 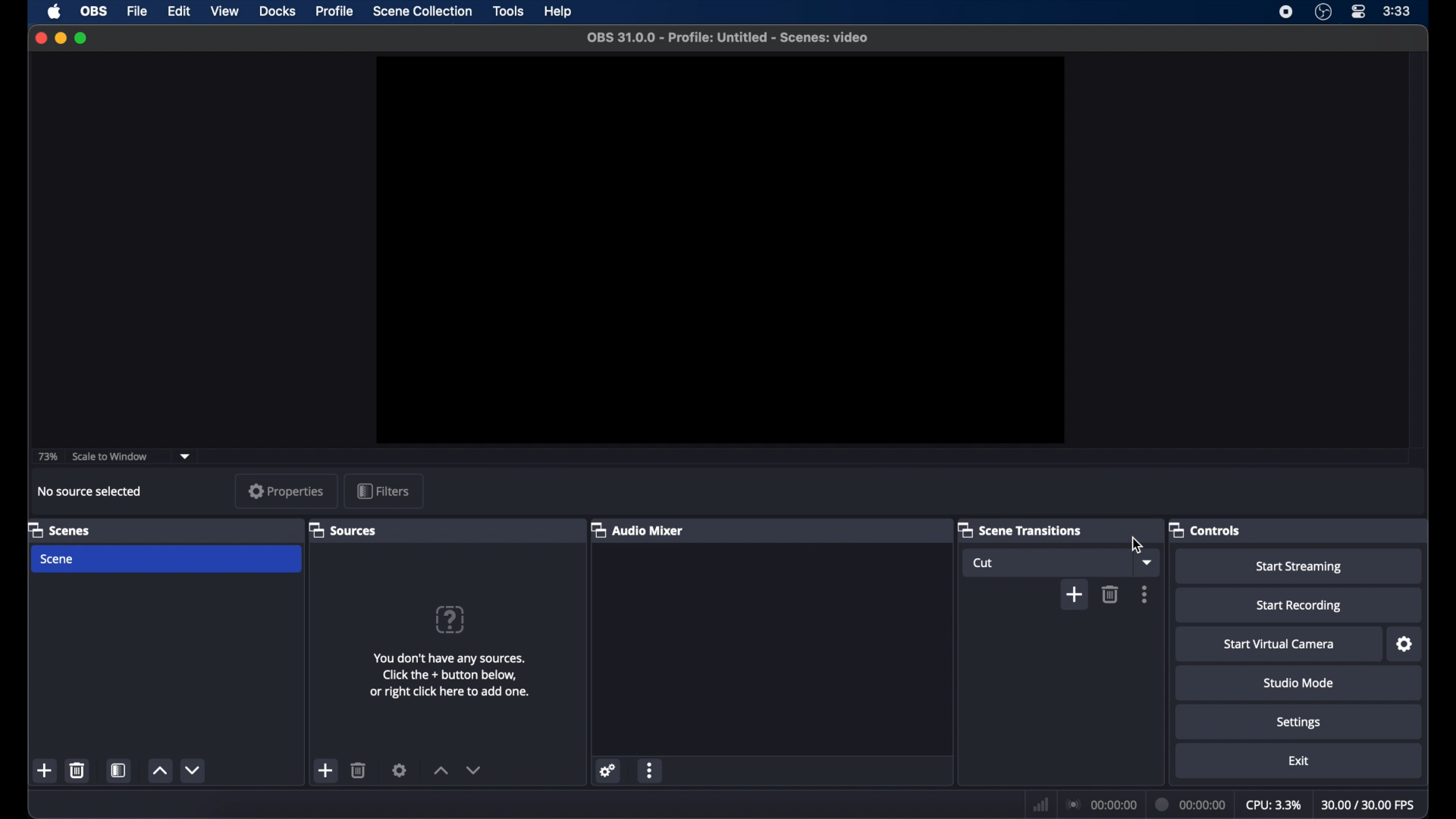 I want to click on no source selected, so click(x=90, y=491).